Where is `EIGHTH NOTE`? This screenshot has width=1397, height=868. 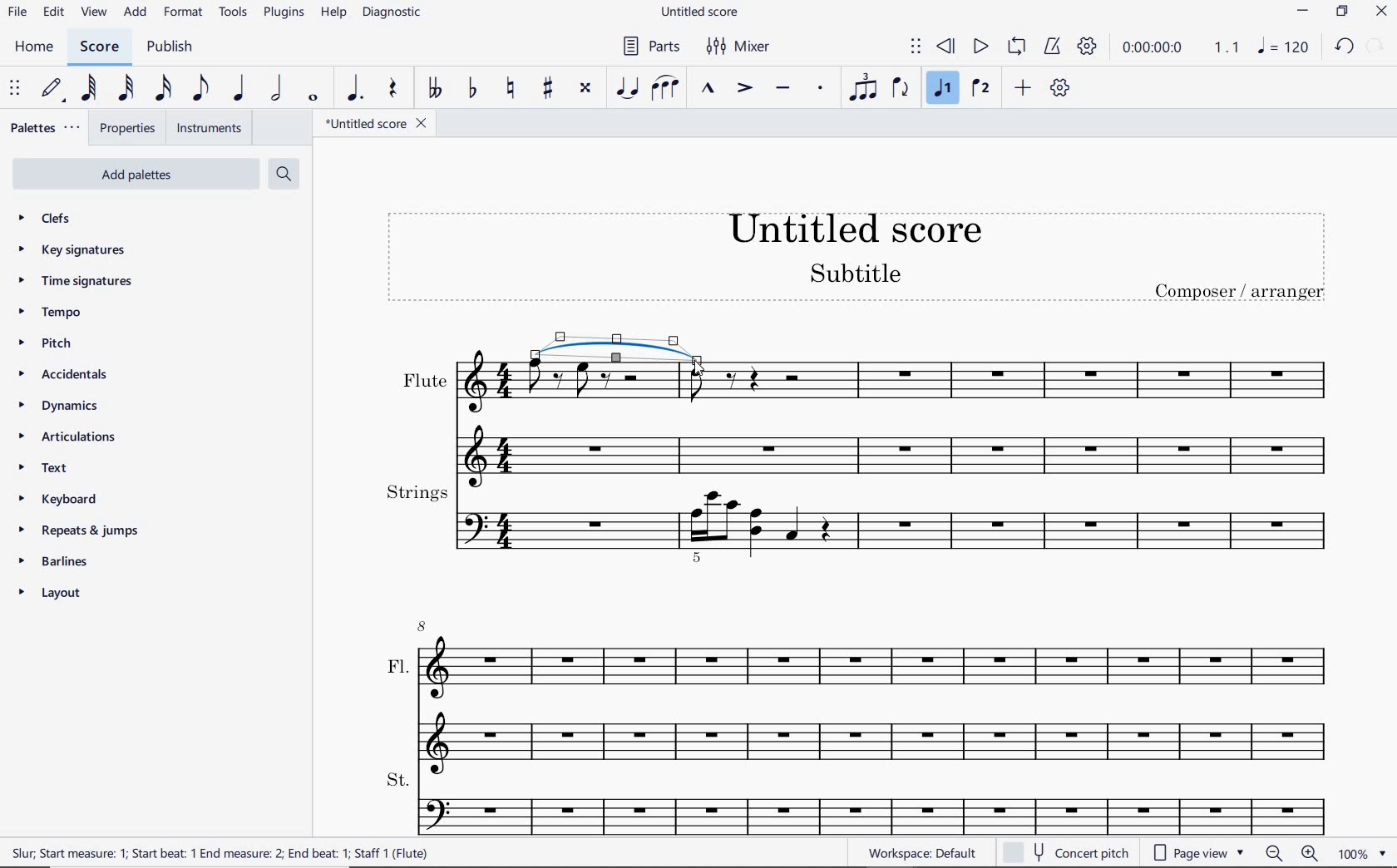 EIGHTH NOTE is located at coordinates (202, 87).